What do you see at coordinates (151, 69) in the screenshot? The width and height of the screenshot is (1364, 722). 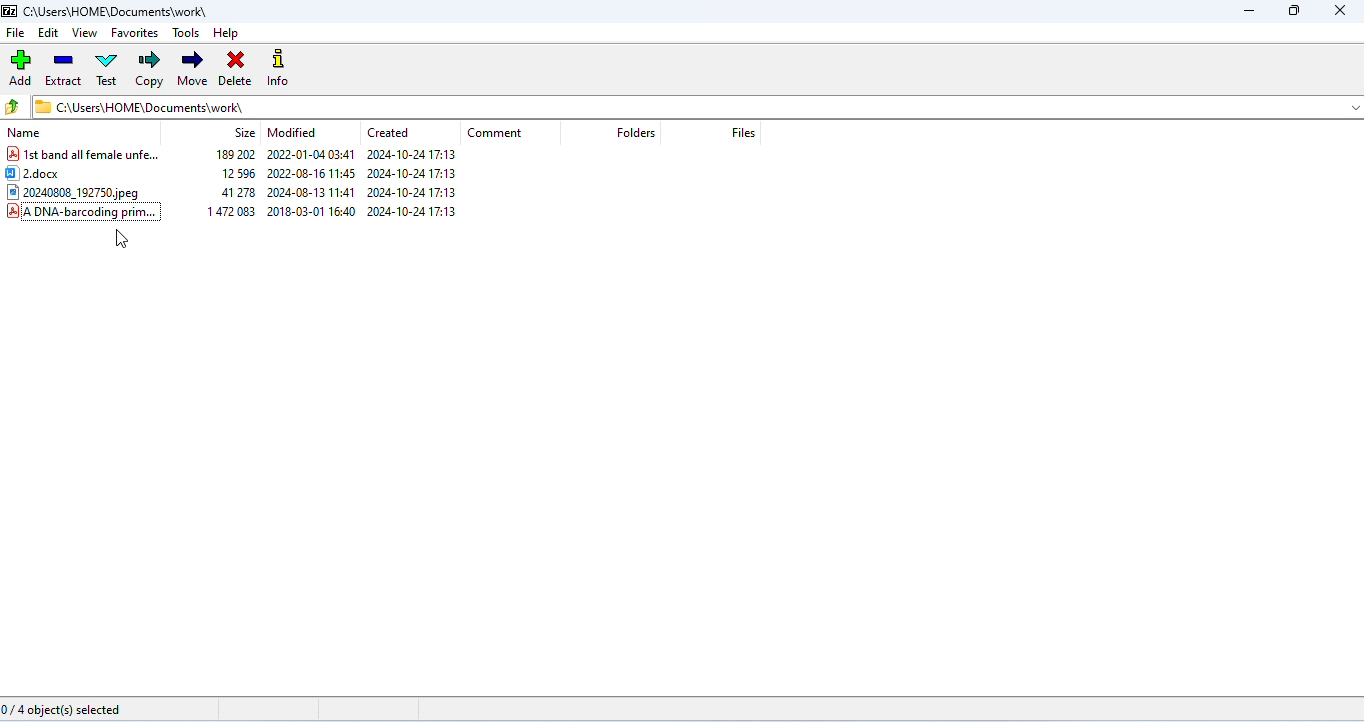 I see `copy` at bounding box center [151, 69].